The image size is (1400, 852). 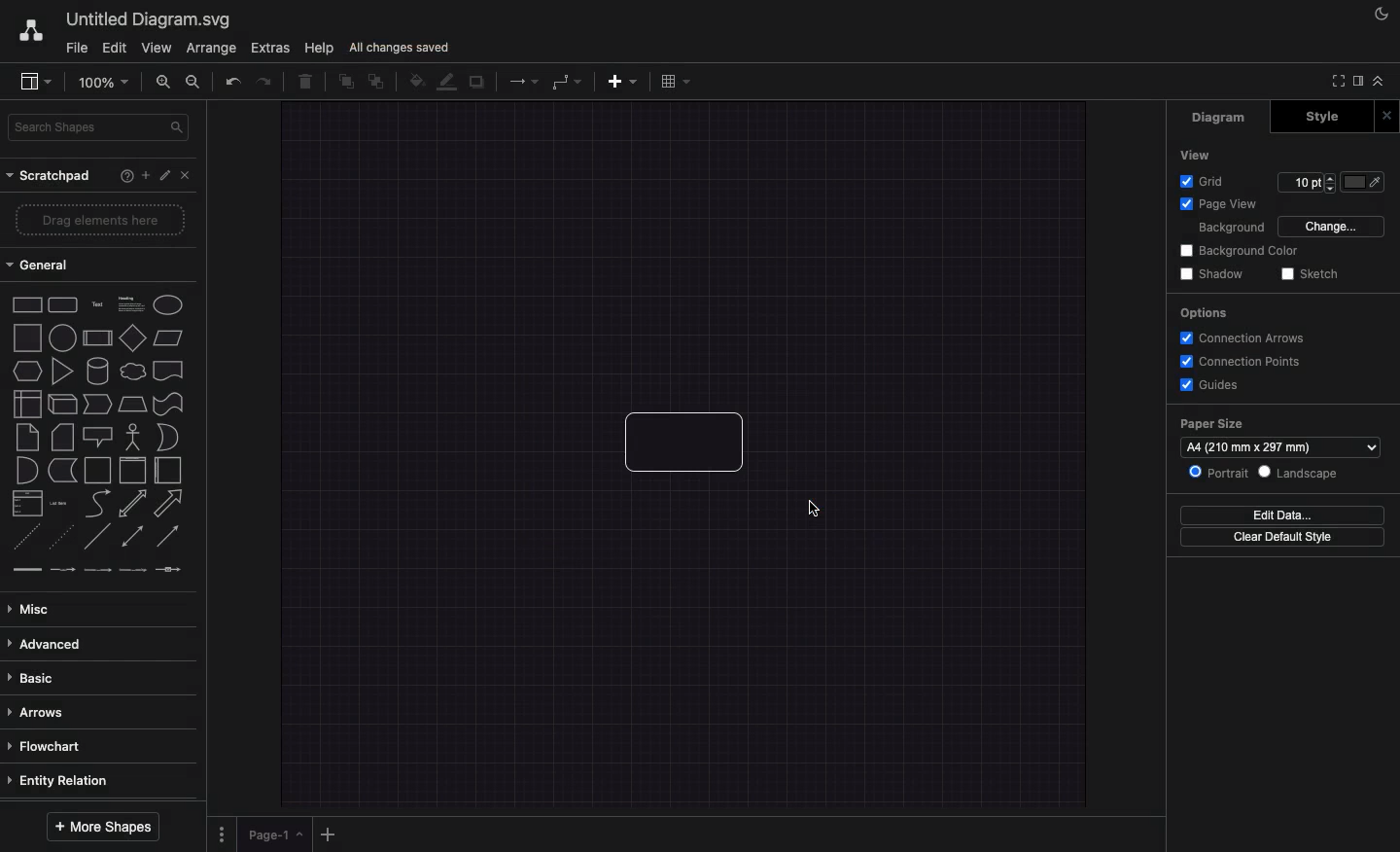 I want to click on Collapse, so click(x=1379, y=82).